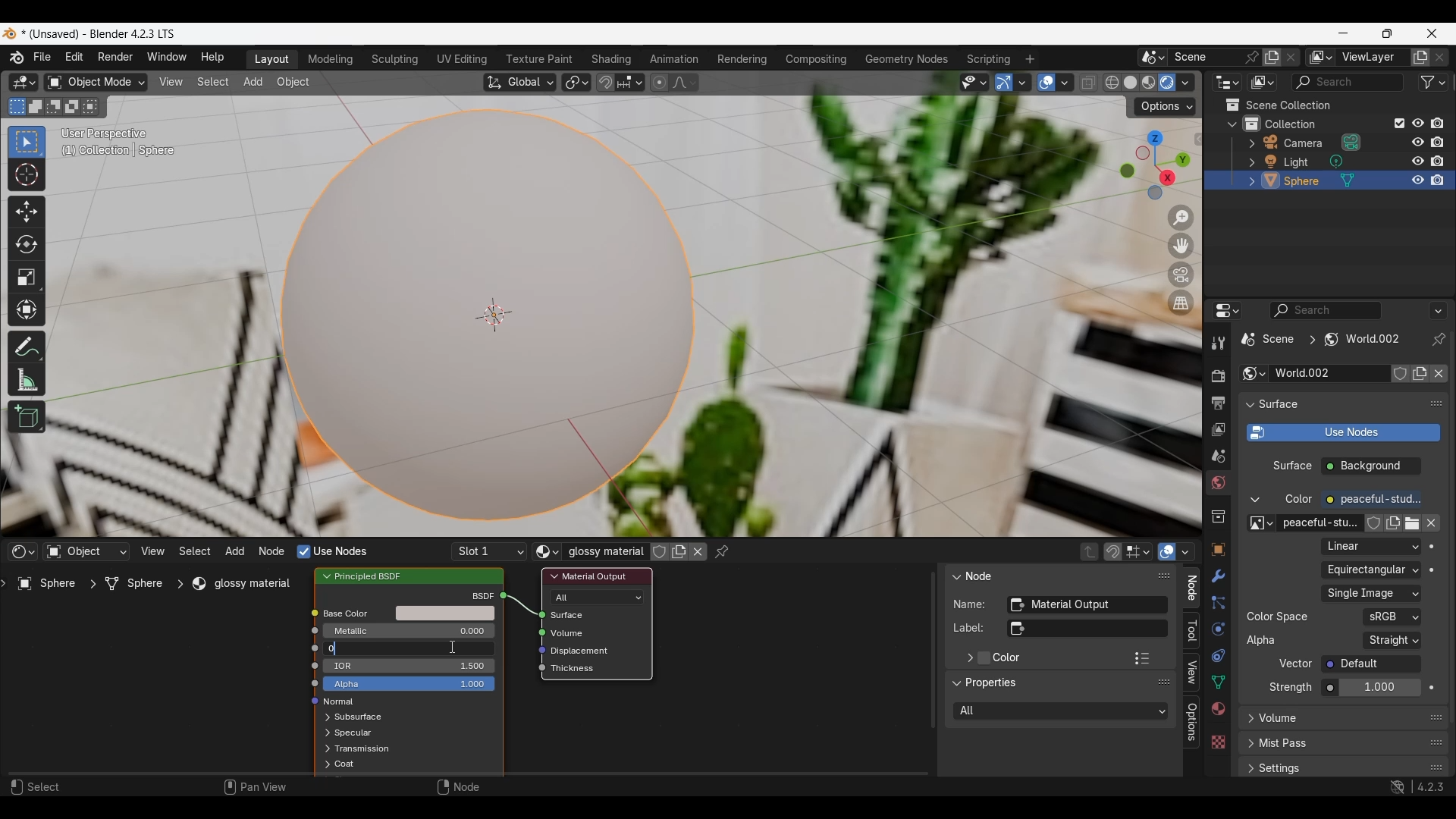  Describe the element at coordinates (1218, 628) in the screenshot. I see `Physics properties` at that location.